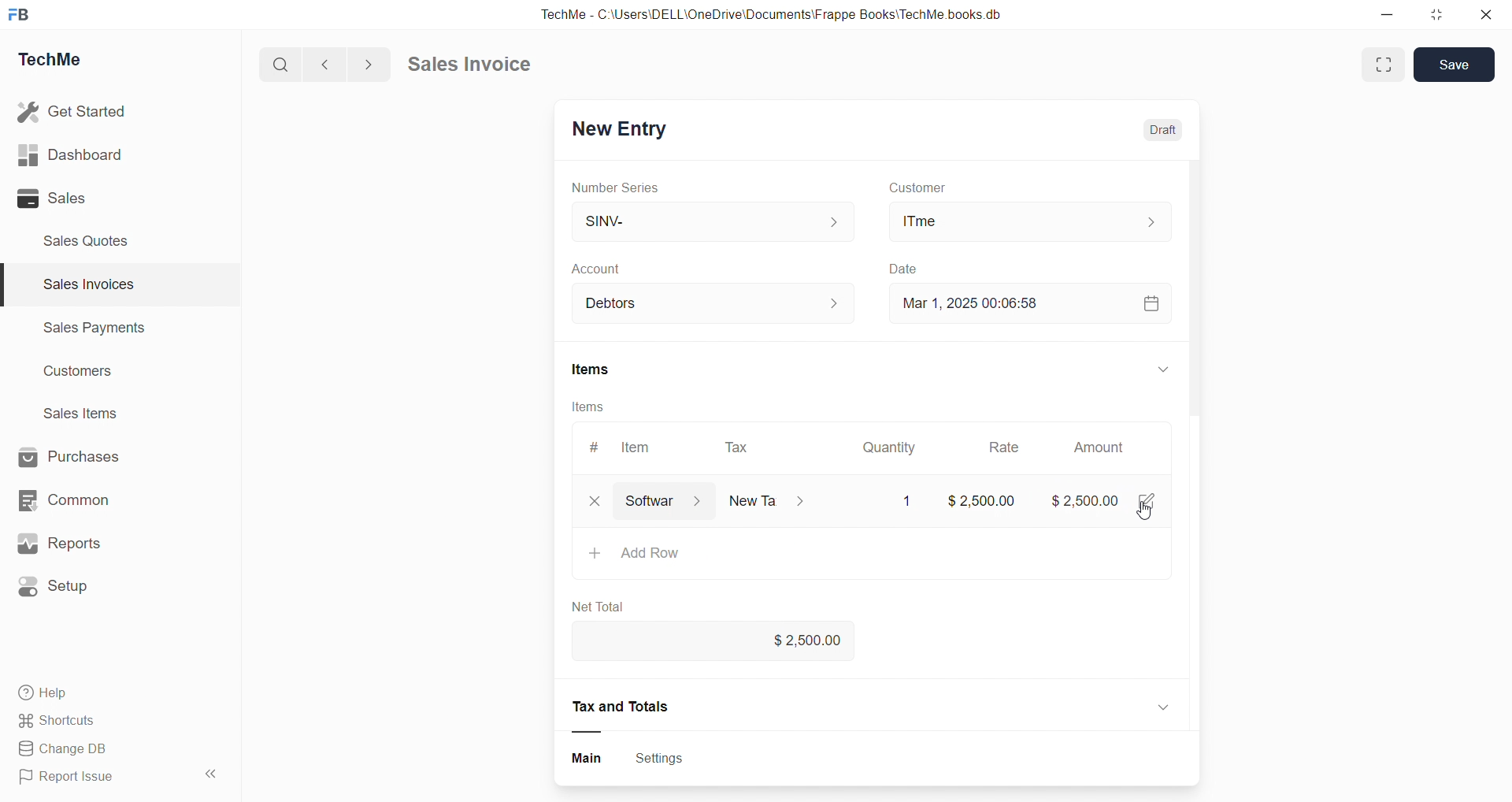  I want to click on Account, so click(621, 270).